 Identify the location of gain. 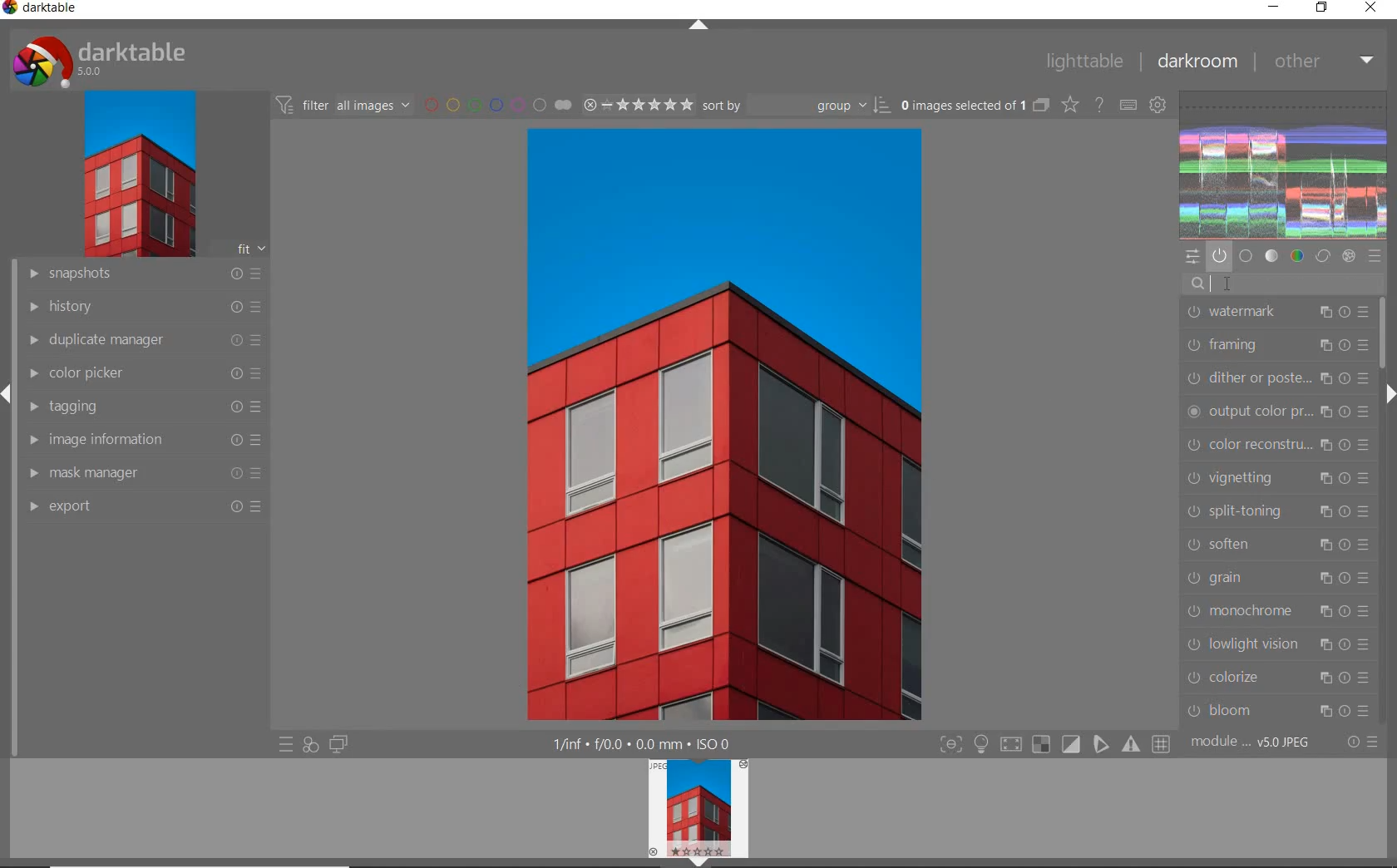
(1278, 579).